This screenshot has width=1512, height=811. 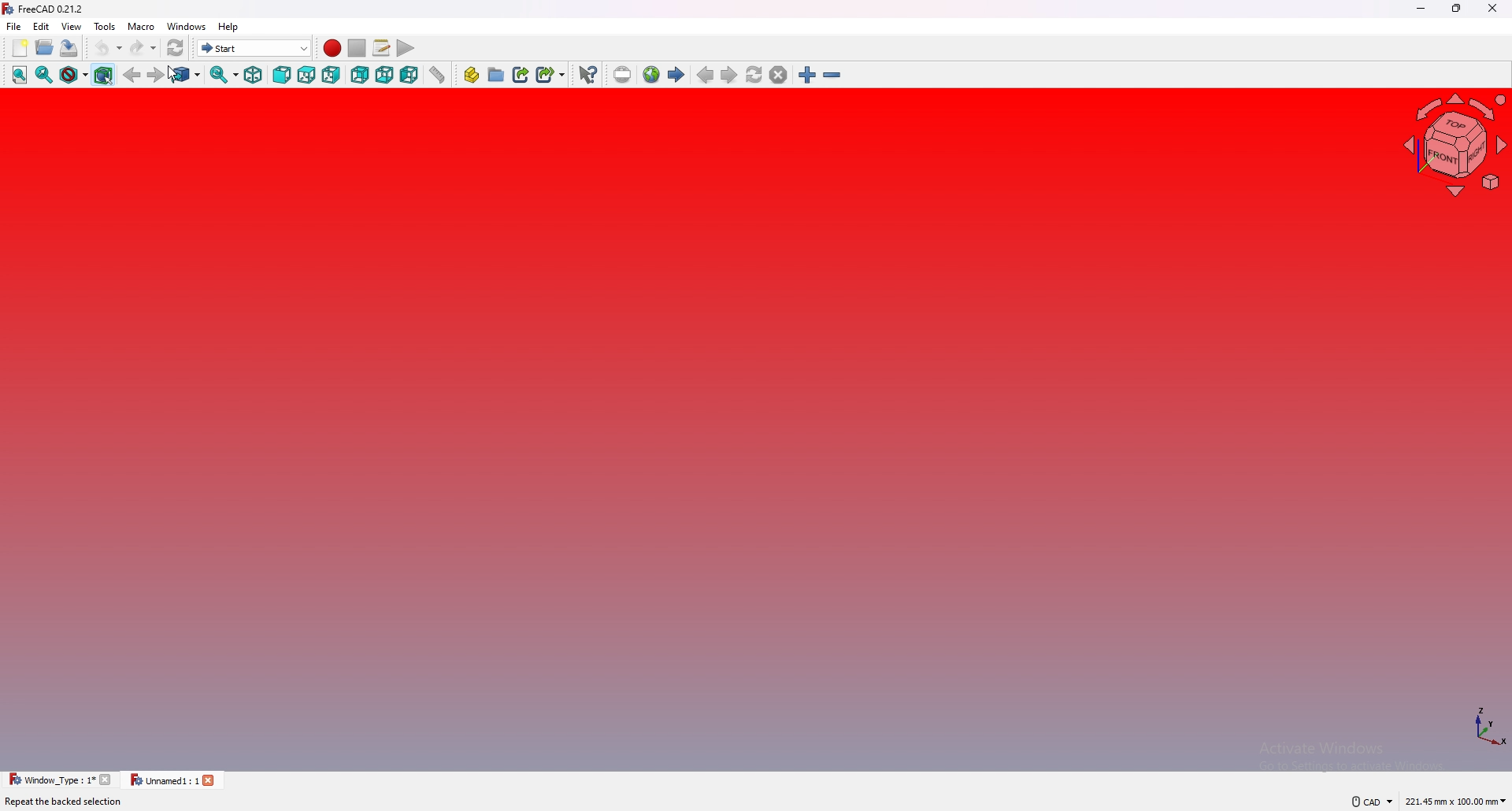 What do you see at coordinates (132, 74) in the screenshot?
I see `back` at bounding box center [132, 74].